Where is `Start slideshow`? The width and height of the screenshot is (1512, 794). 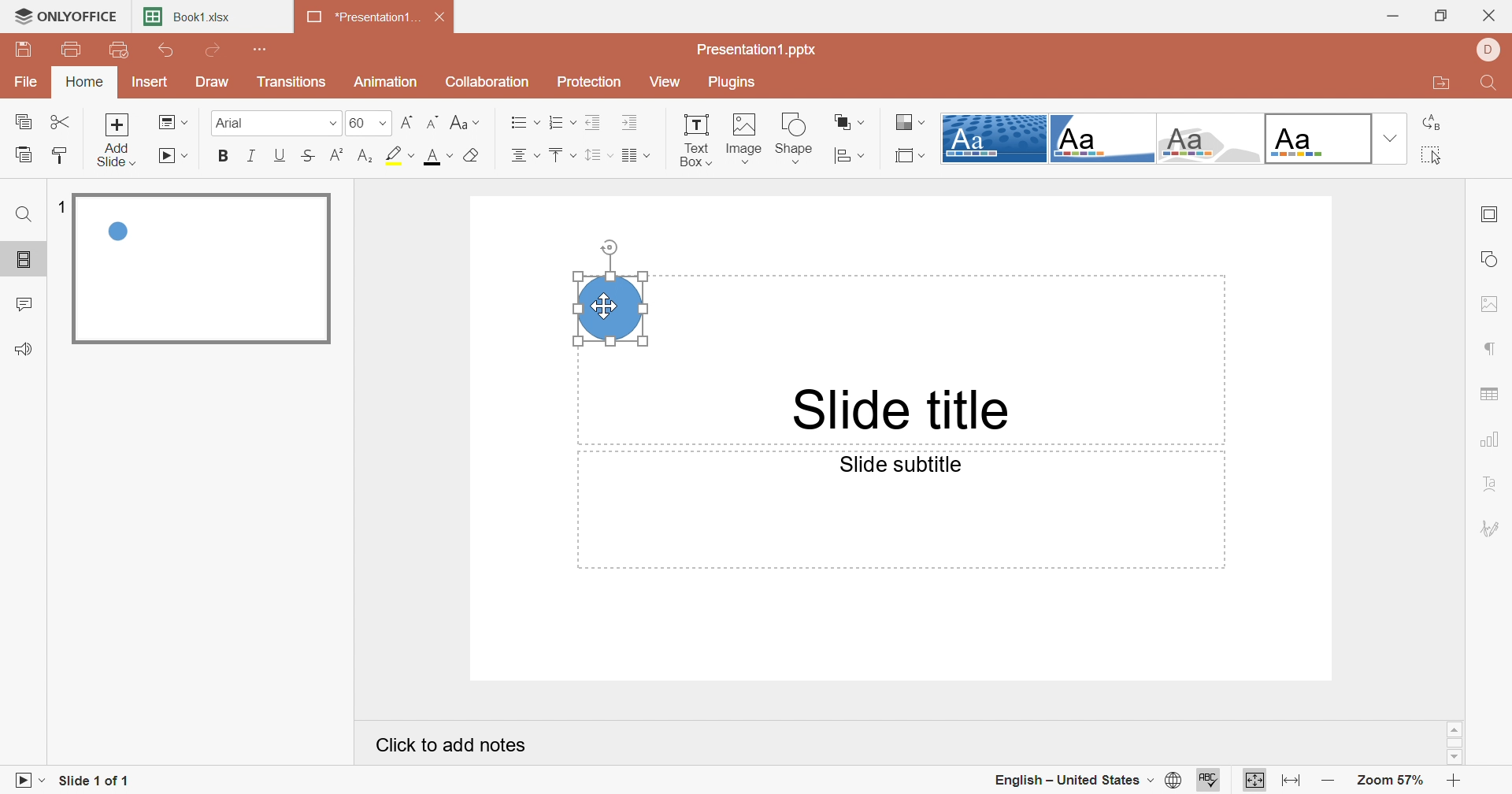 Start slideshow is located at coordinates (26, 783).